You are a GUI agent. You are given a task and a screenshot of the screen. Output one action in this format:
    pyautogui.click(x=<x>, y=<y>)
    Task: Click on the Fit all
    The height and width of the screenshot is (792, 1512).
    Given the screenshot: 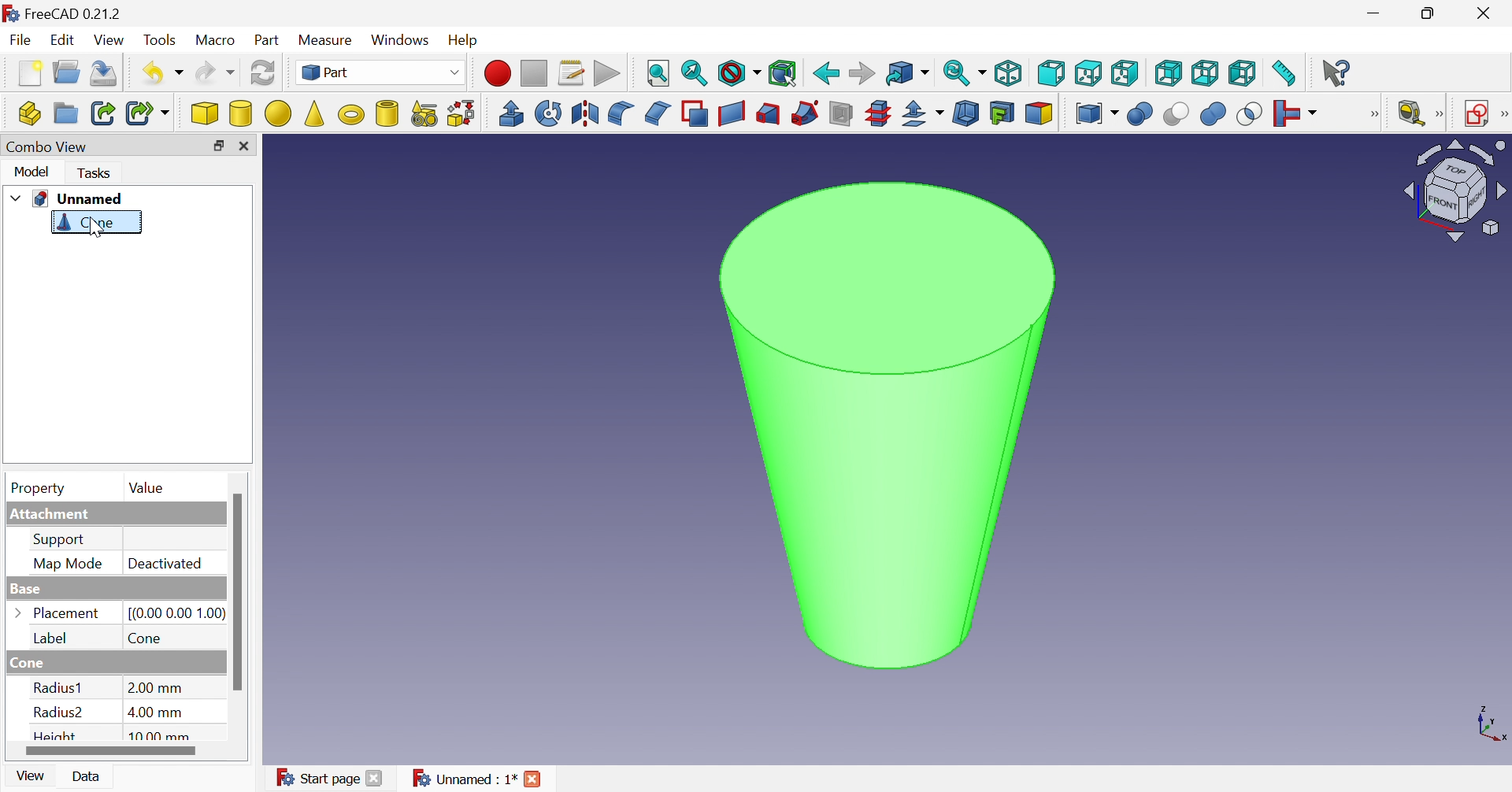 What is the action you would take?
    pyautogui.click(x=656, y=74)
    